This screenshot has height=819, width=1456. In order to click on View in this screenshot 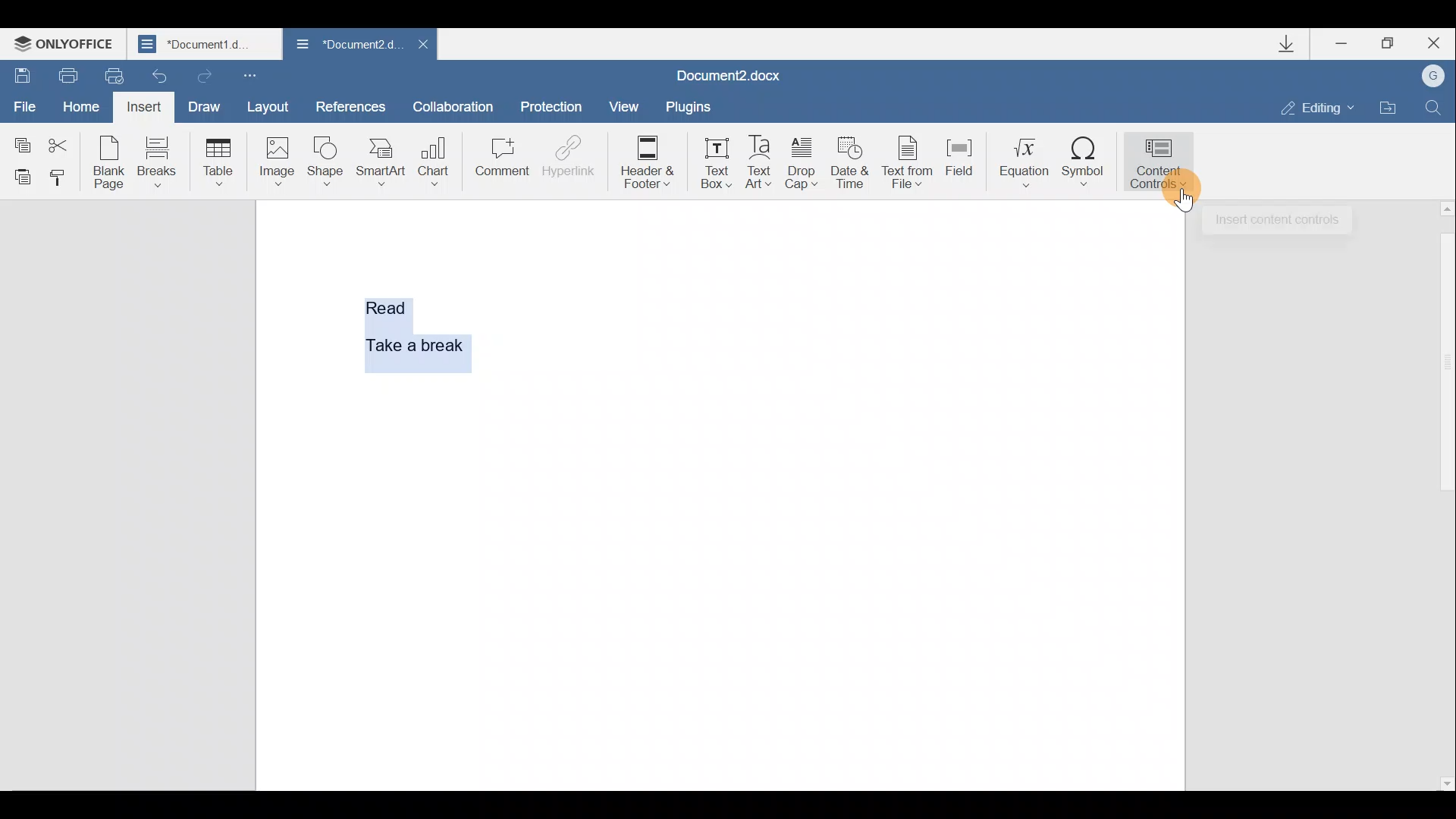, I will do `click(619, 105)`.